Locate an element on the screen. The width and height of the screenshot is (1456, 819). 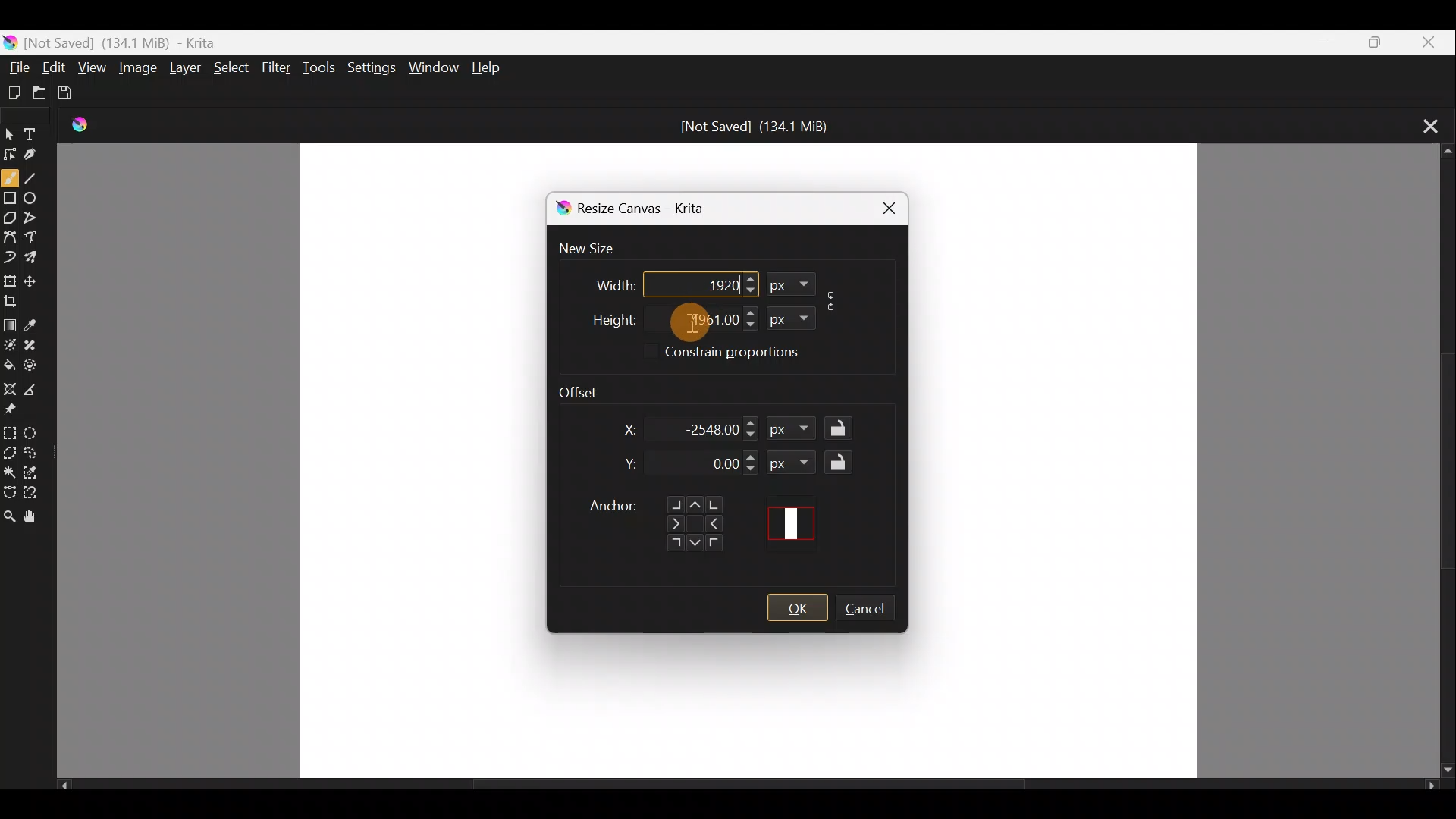
Cursor on height is located at coordinates (681, 322).